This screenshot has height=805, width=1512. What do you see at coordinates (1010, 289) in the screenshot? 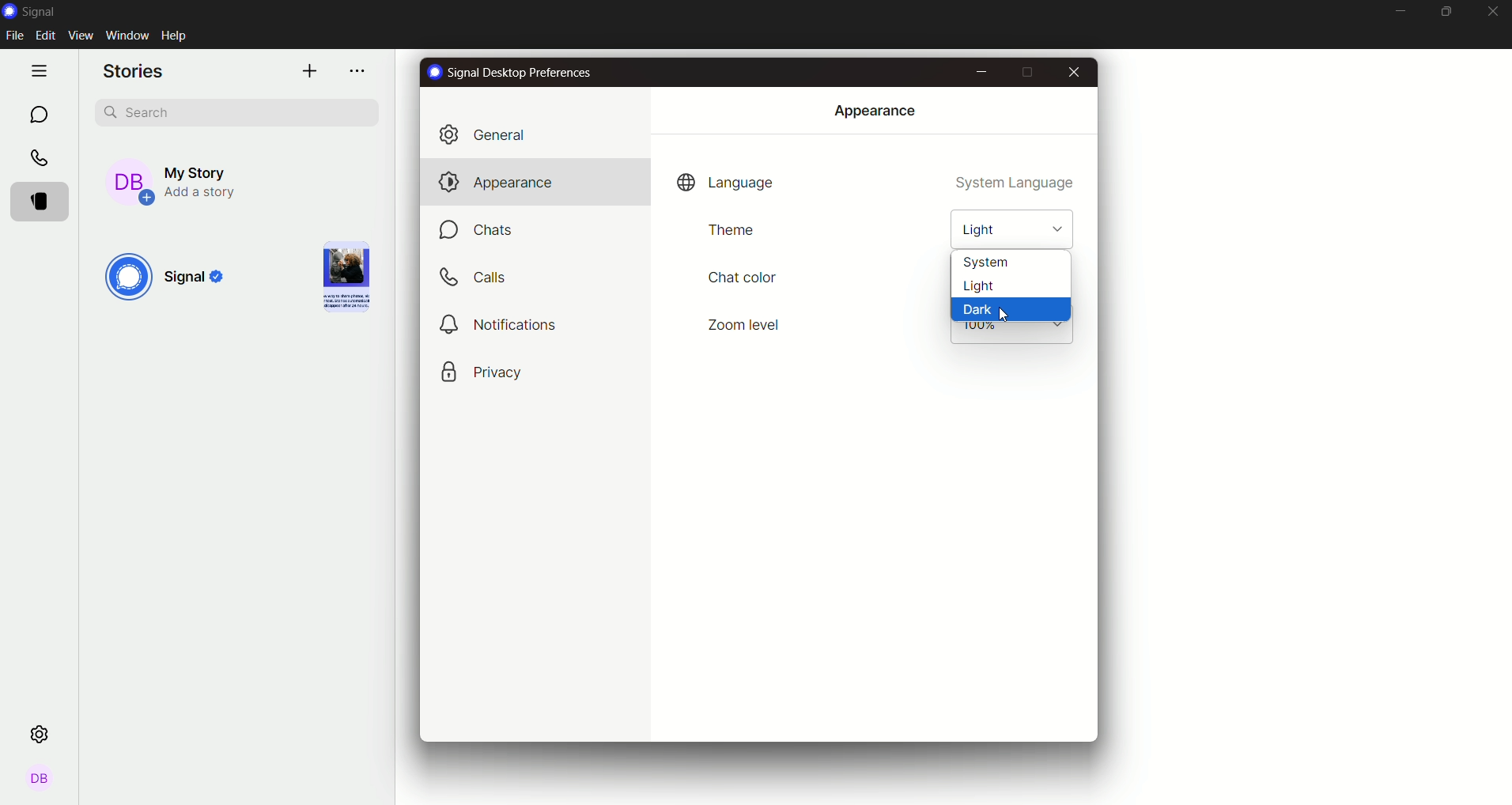
I see `light ` at bounding box center [1010, 289].